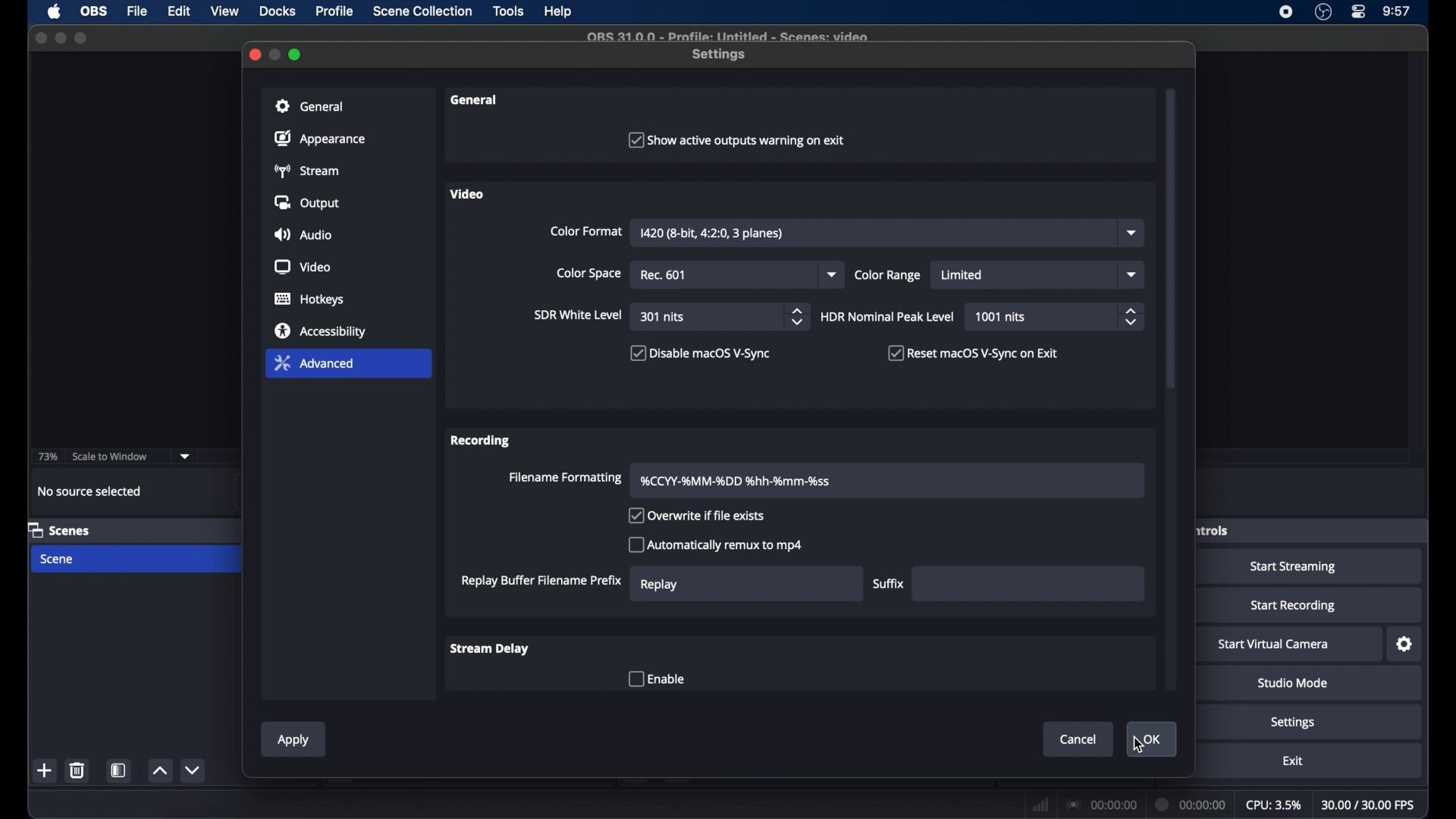  What do you see at coordinates (93, 11) in the screenshot?
I see `obs` at bounding box center [93, 11].